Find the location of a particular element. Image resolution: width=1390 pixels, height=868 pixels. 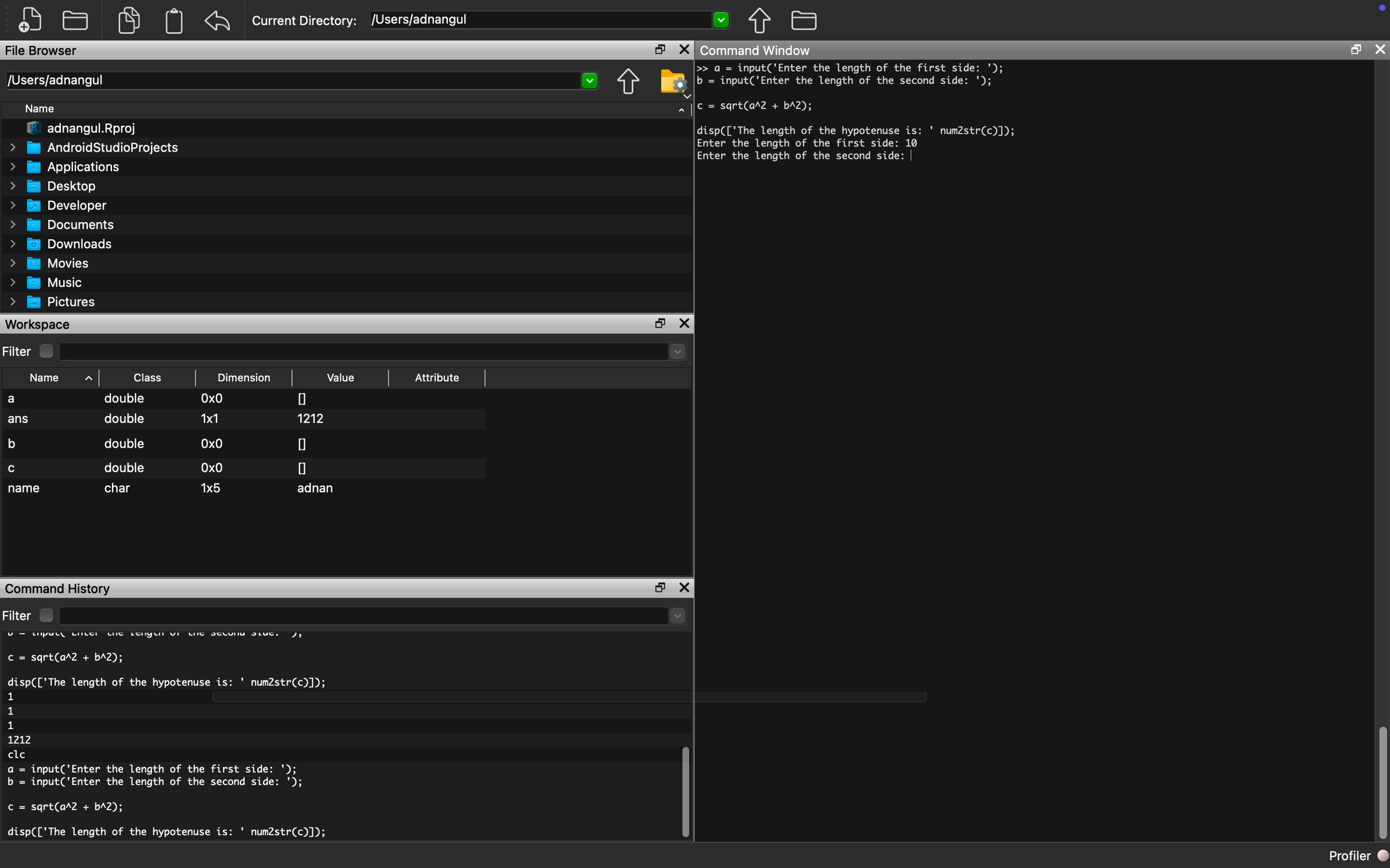

checkbox is located at coordinates (45, 615).